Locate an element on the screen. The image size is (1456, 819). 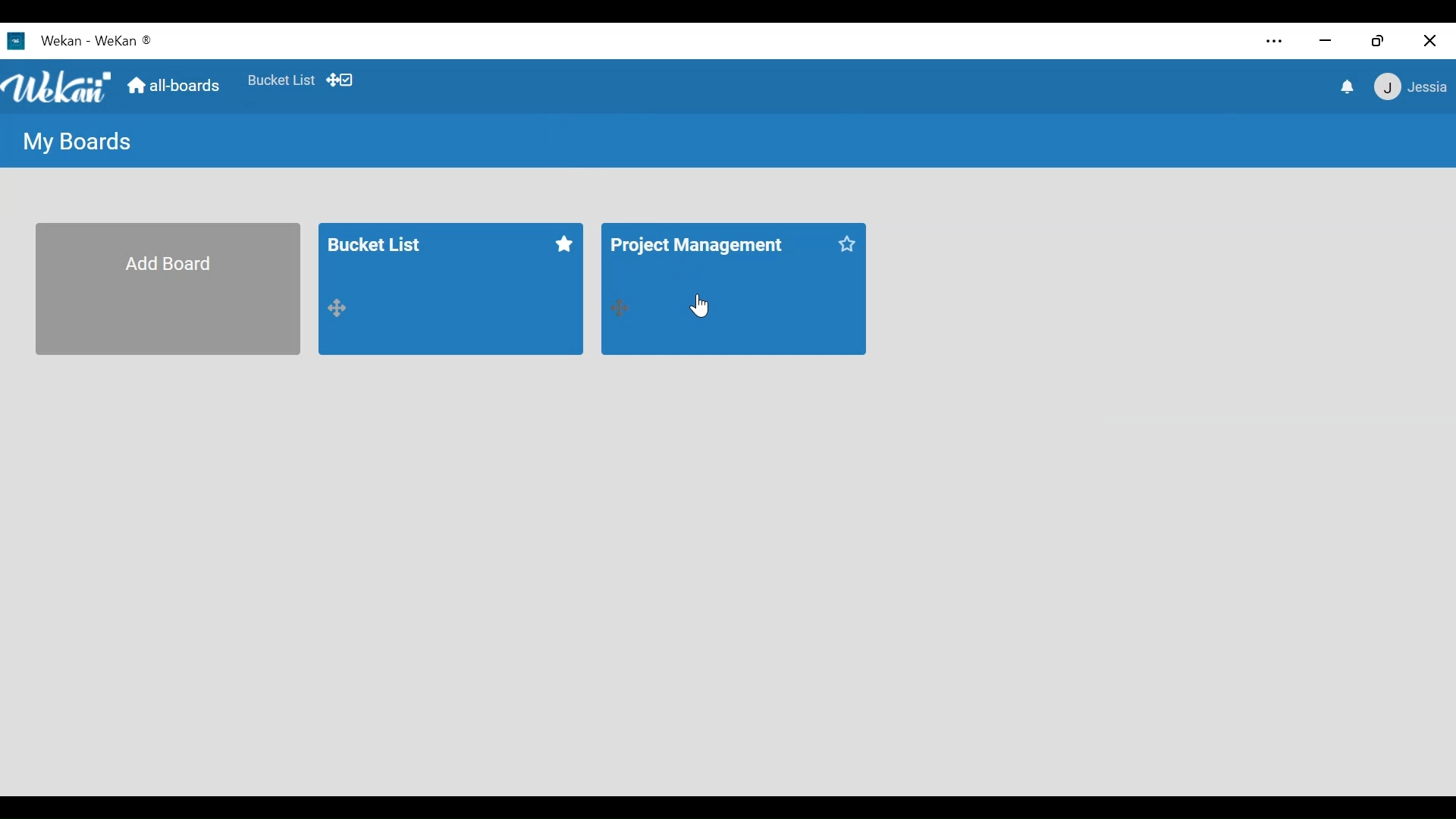
restore is located at coordinates (1377, 40).